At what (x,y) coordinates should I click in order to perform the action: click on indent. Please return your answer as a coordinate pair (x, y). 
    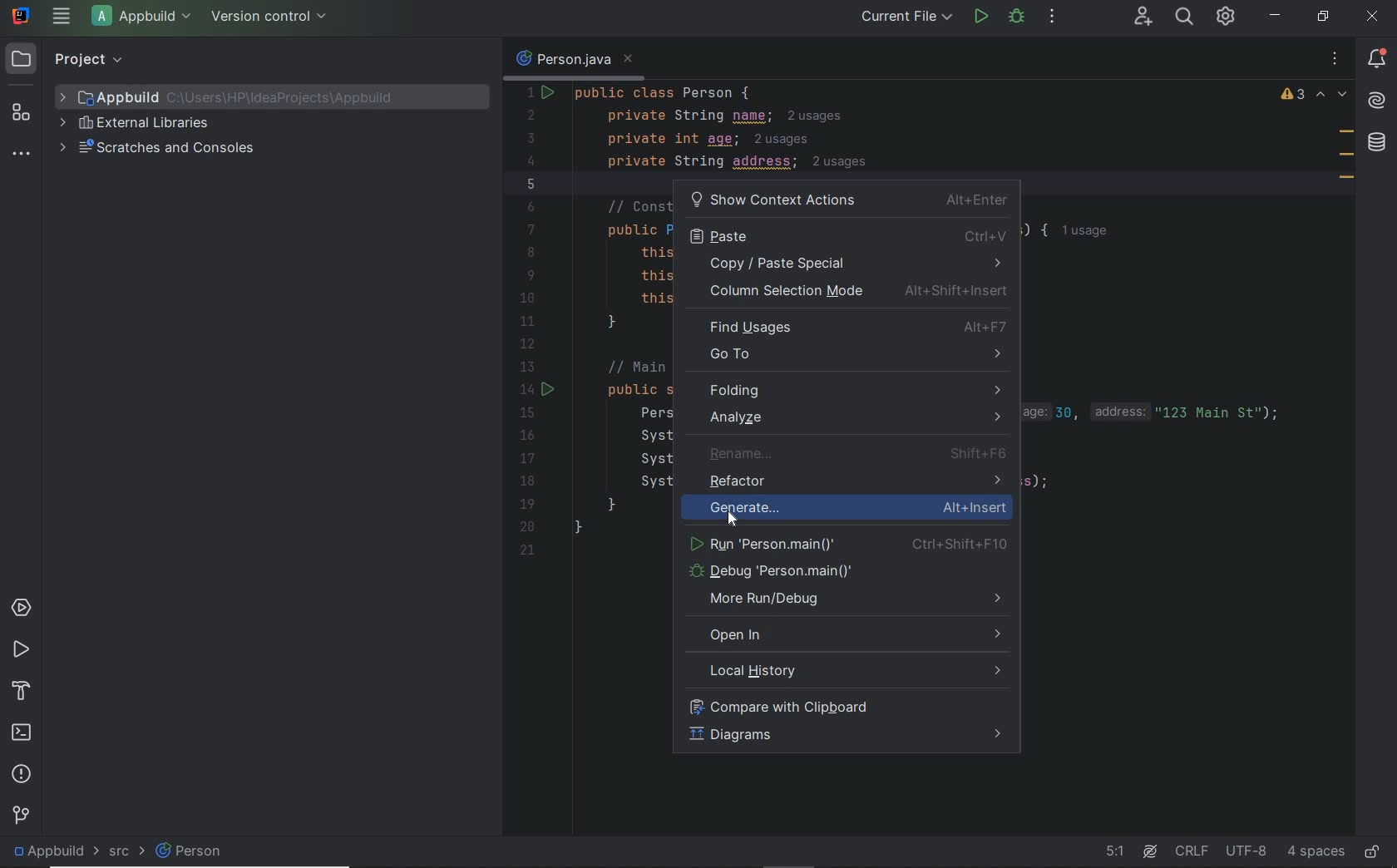
    Looking at the image, I should click on (1315, 851).